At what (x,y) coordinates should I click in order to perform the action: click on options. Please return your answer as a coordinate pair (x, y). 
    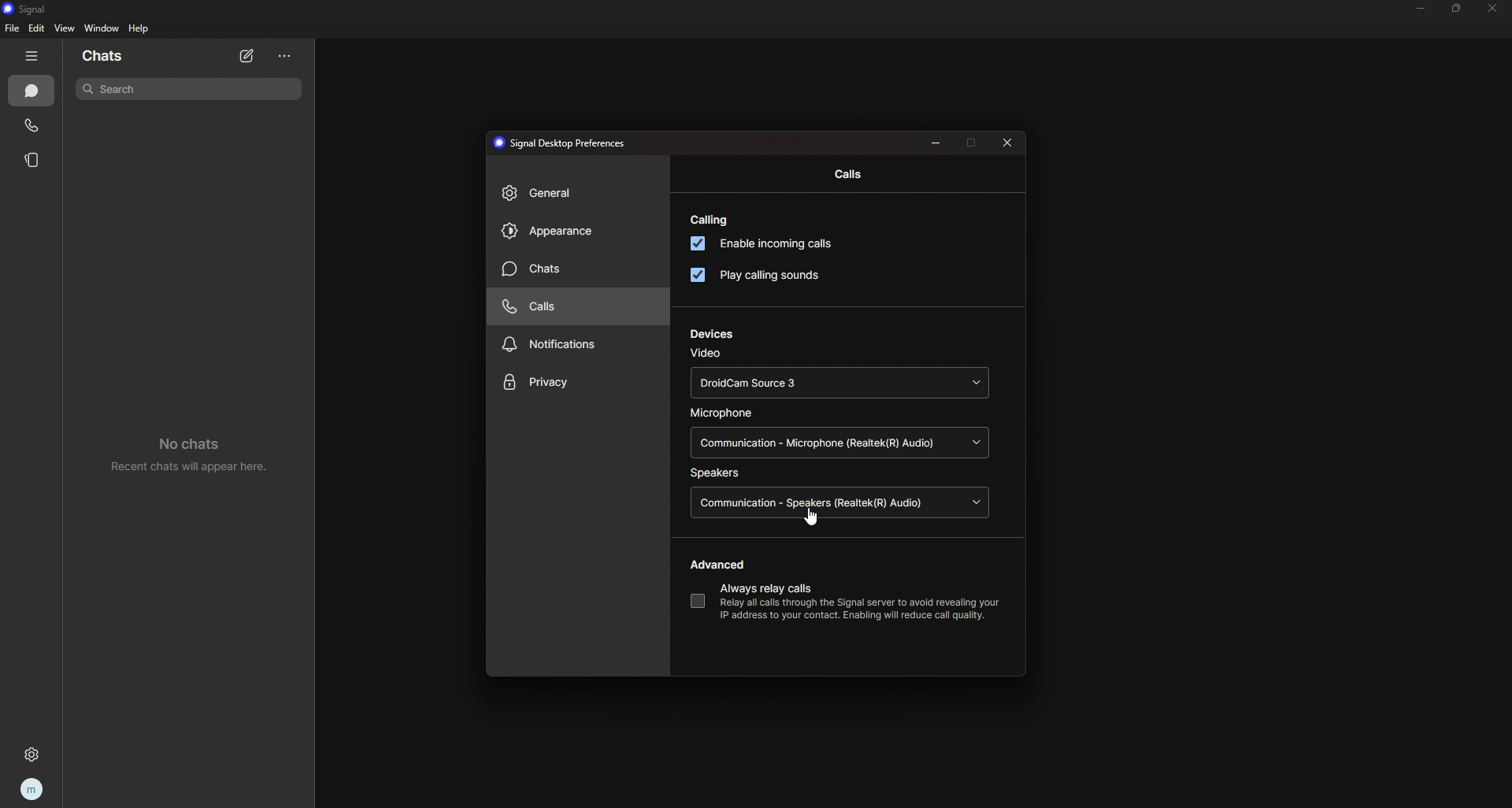
    Looking at the image, I should click on (286, 57).